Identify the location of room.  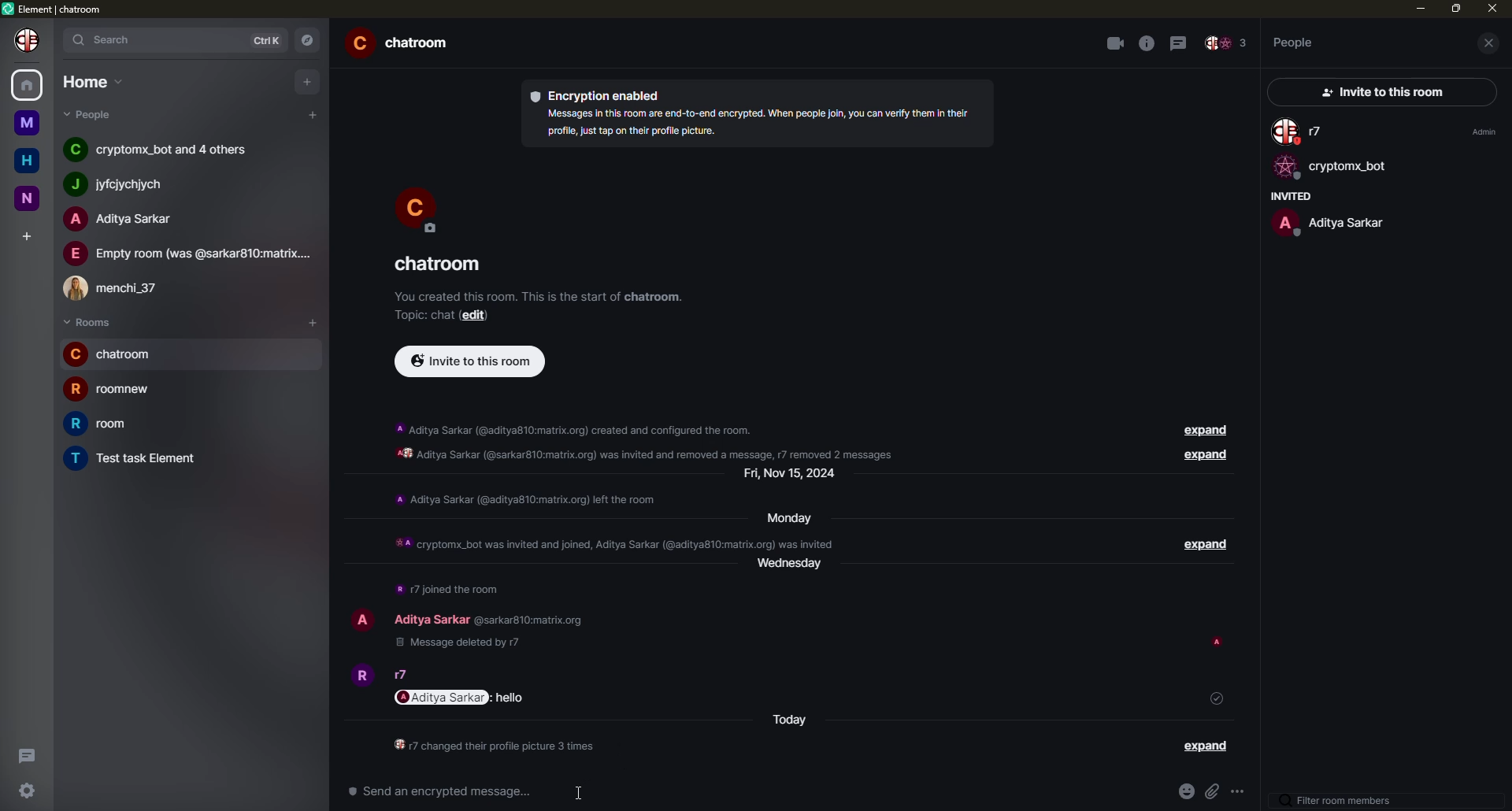
(405, 45).